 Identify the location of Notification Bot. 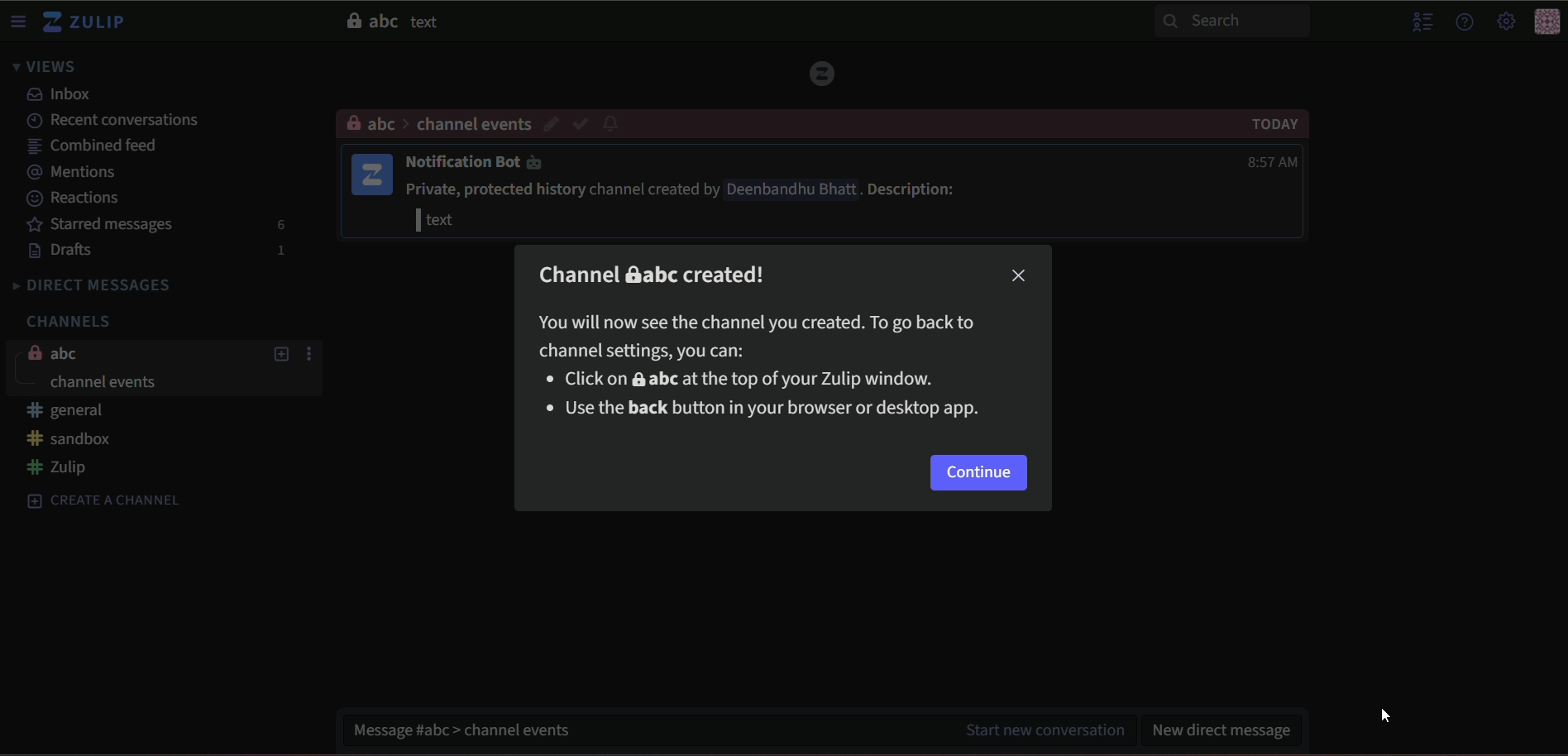
(495, 160).